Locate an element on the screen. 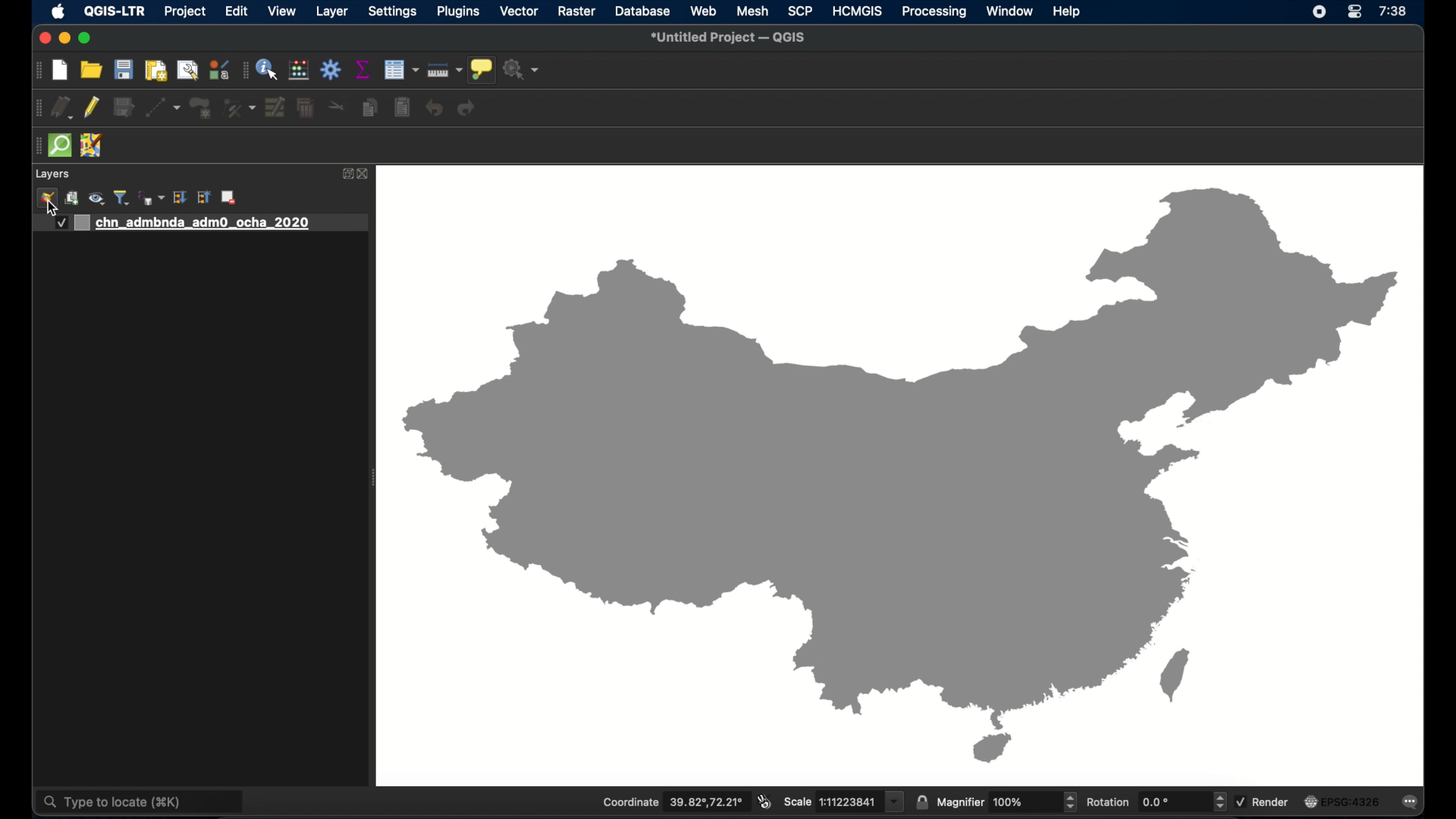 The width and height of the screenshot is (1456, 819). drag handle is located at coordinates (38, 108).